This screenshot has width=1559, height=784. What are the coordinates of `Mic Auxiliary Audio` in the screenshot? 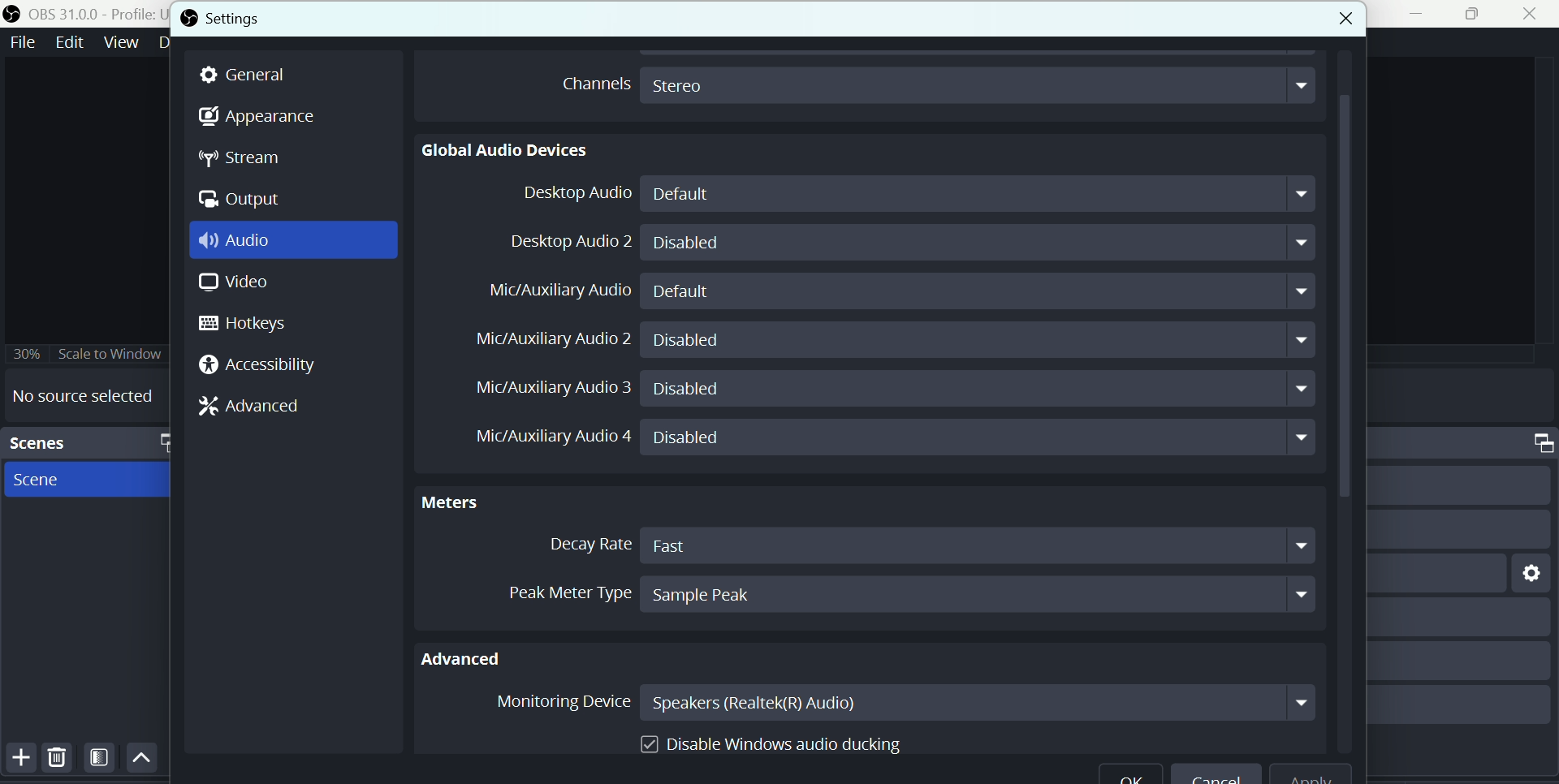 It's located at (562, 291).